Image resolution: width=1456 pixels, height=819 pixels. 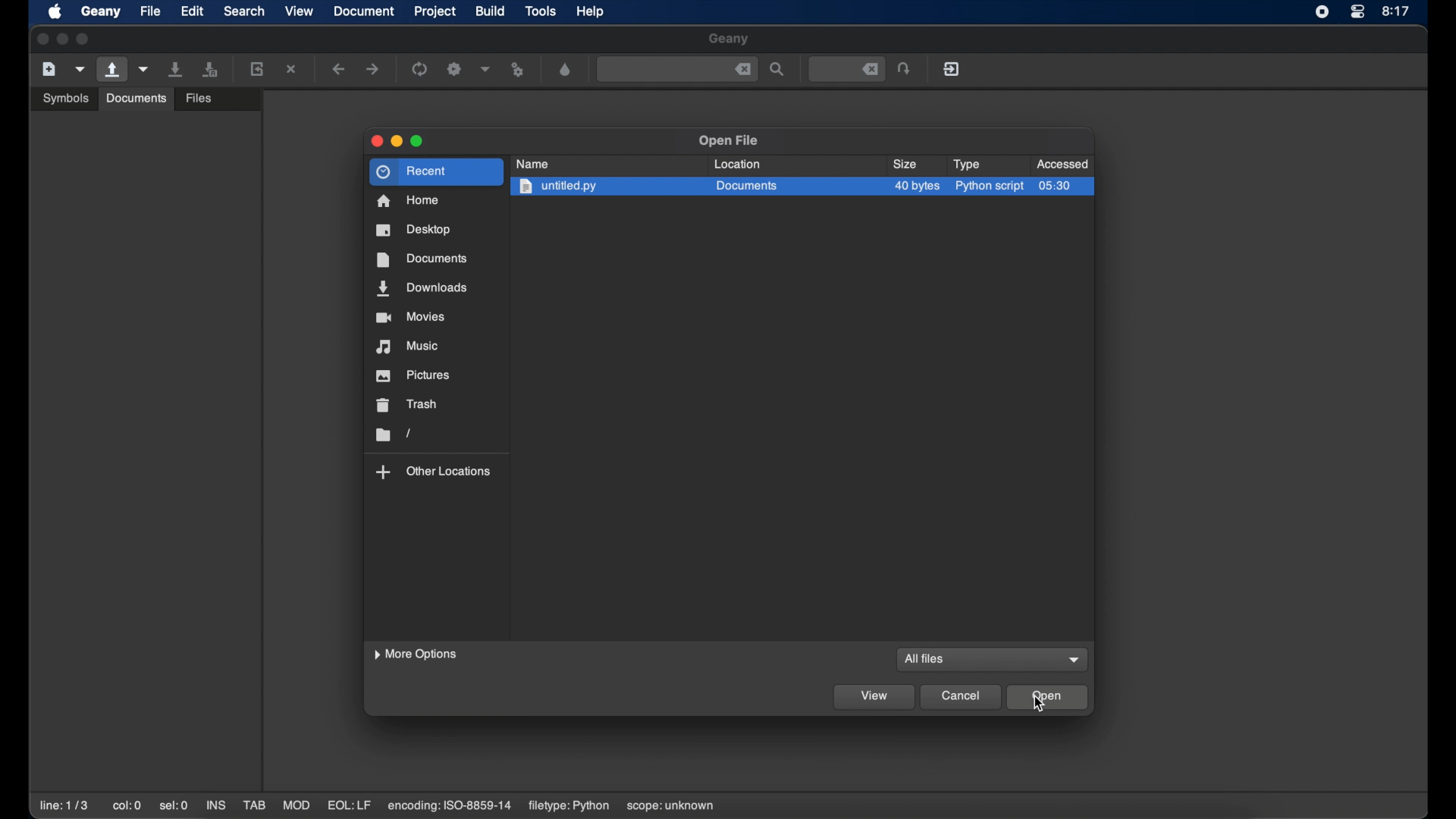 I want to click on geany, so click(x=101, y=11).